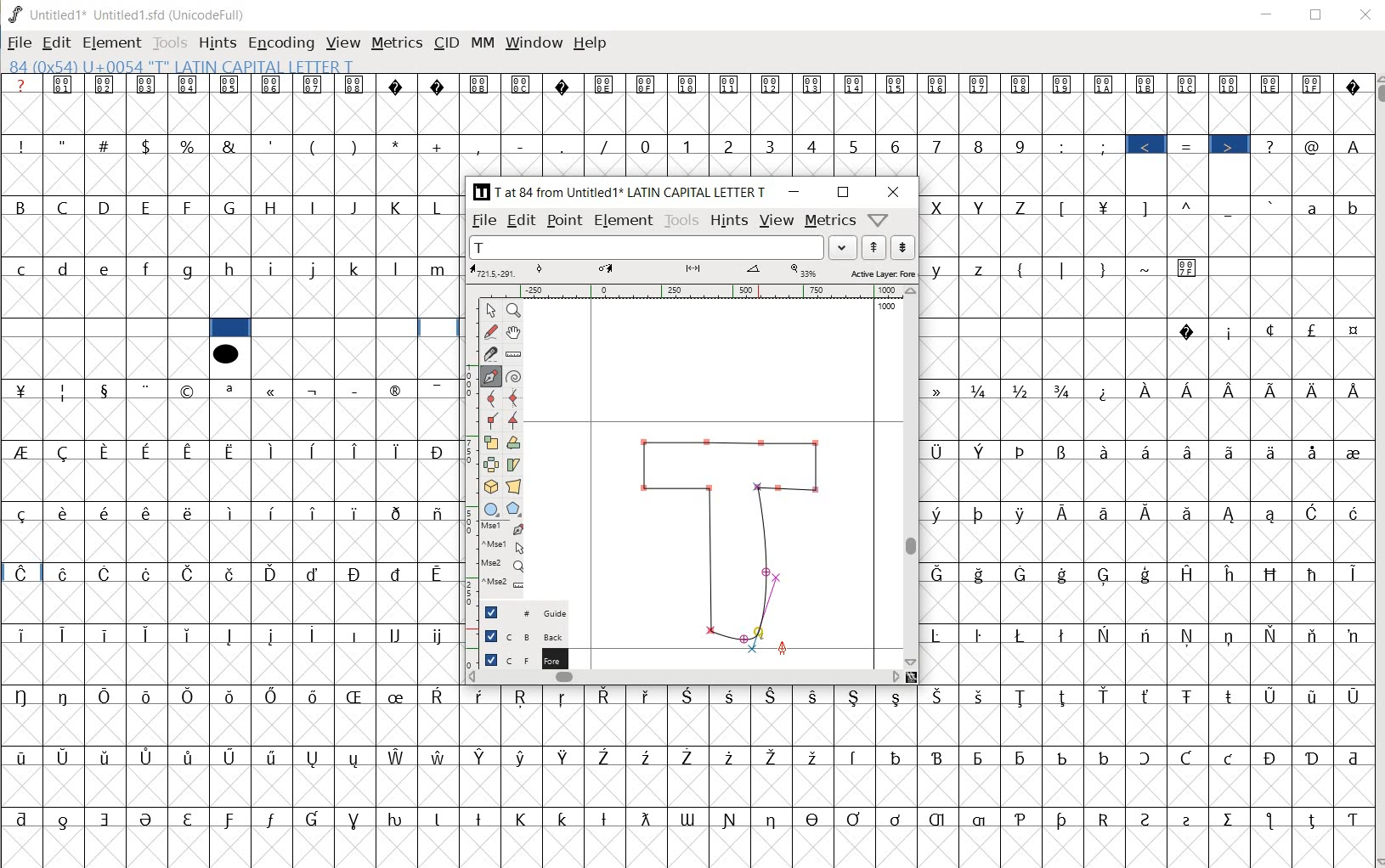 The height and width of the screenshot is (868, 1385). Describe the element at coordinates (856, 817) in the screenshot. I see `Symbol` at that location.